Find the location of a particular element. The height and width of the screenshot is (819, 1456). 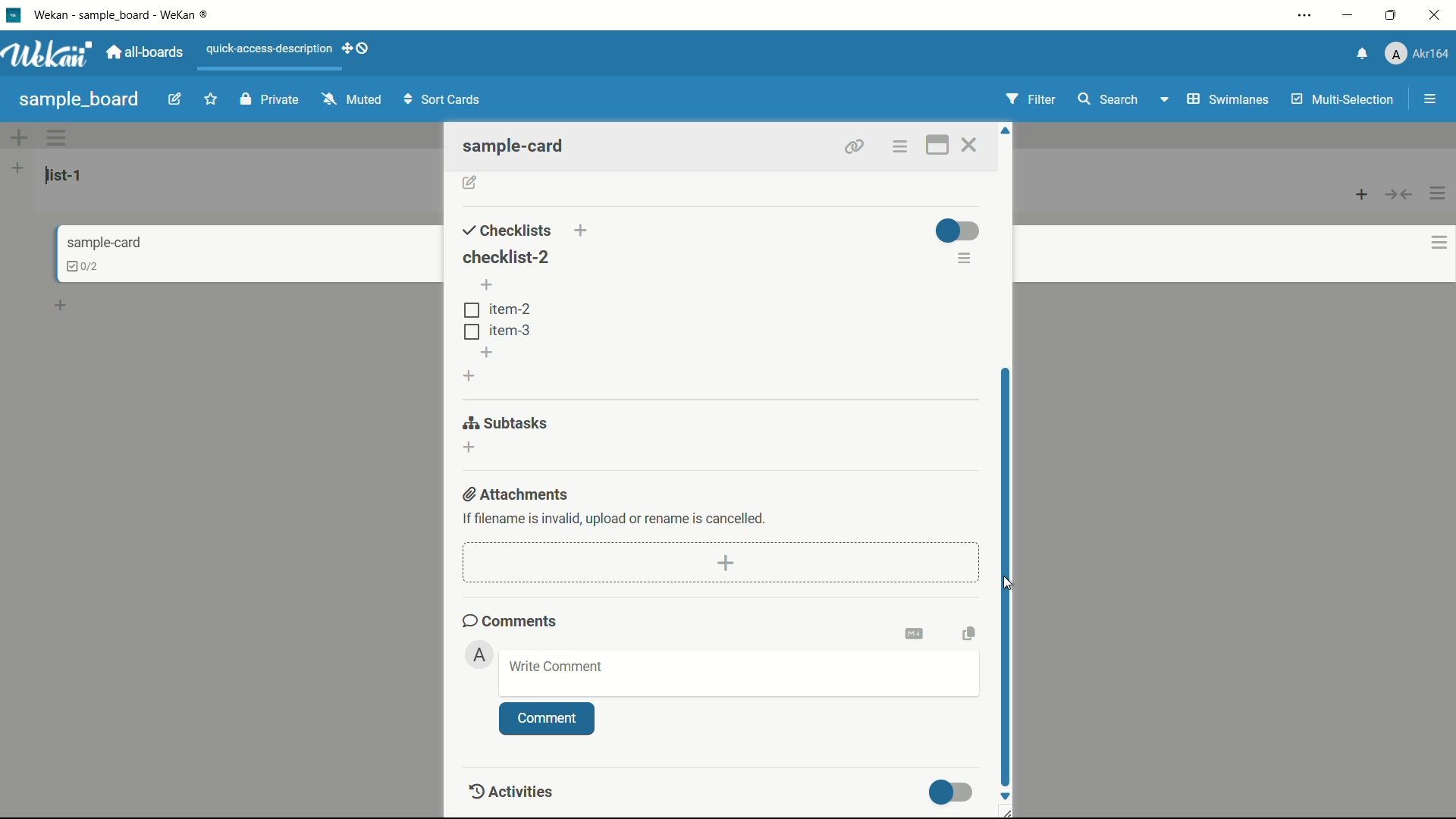

star this board is located at coordinates (212, 101).